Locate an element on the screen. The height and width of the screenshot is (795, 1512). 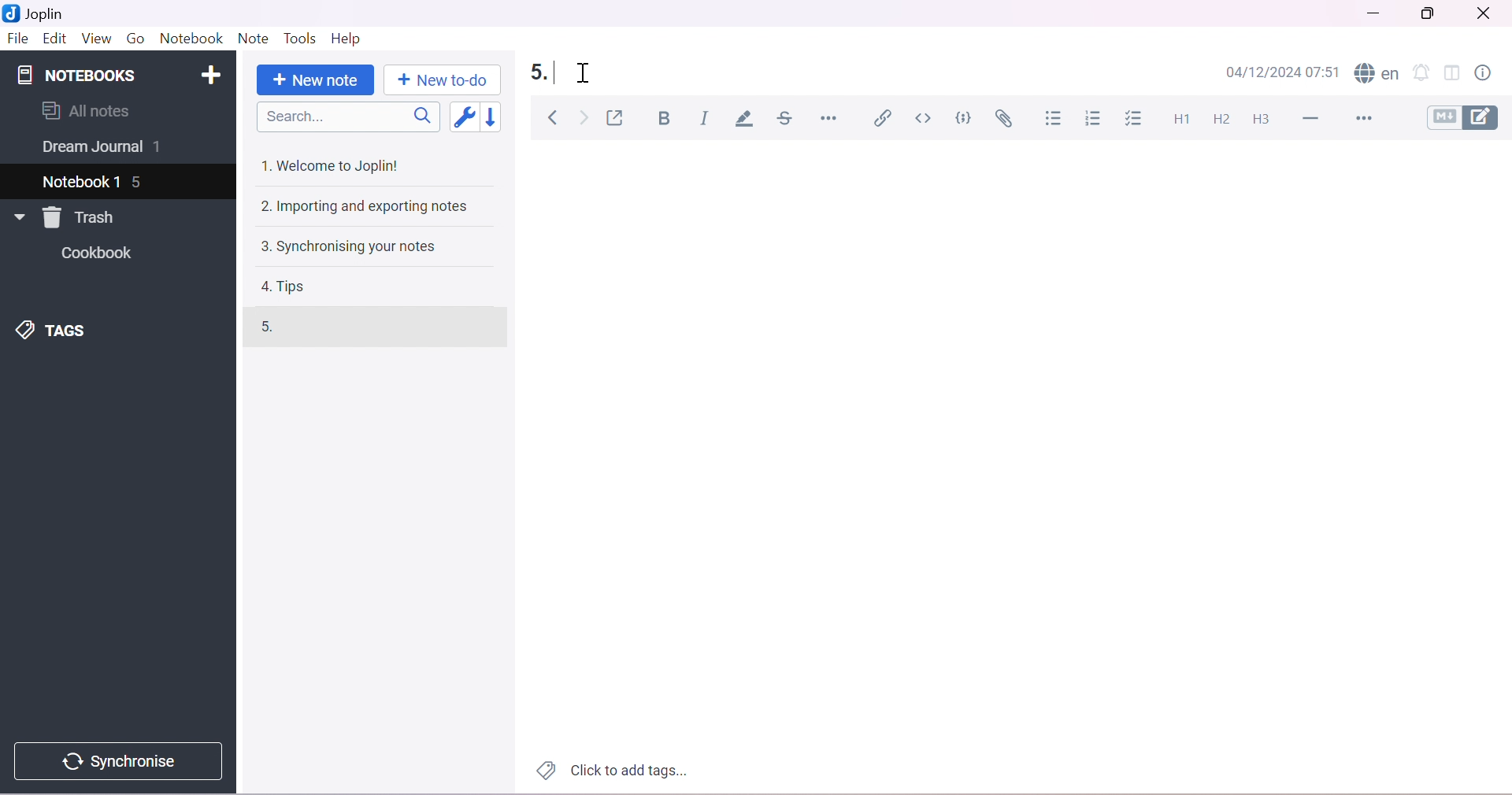
Heading 2 is located at coordinates (1222, 120).